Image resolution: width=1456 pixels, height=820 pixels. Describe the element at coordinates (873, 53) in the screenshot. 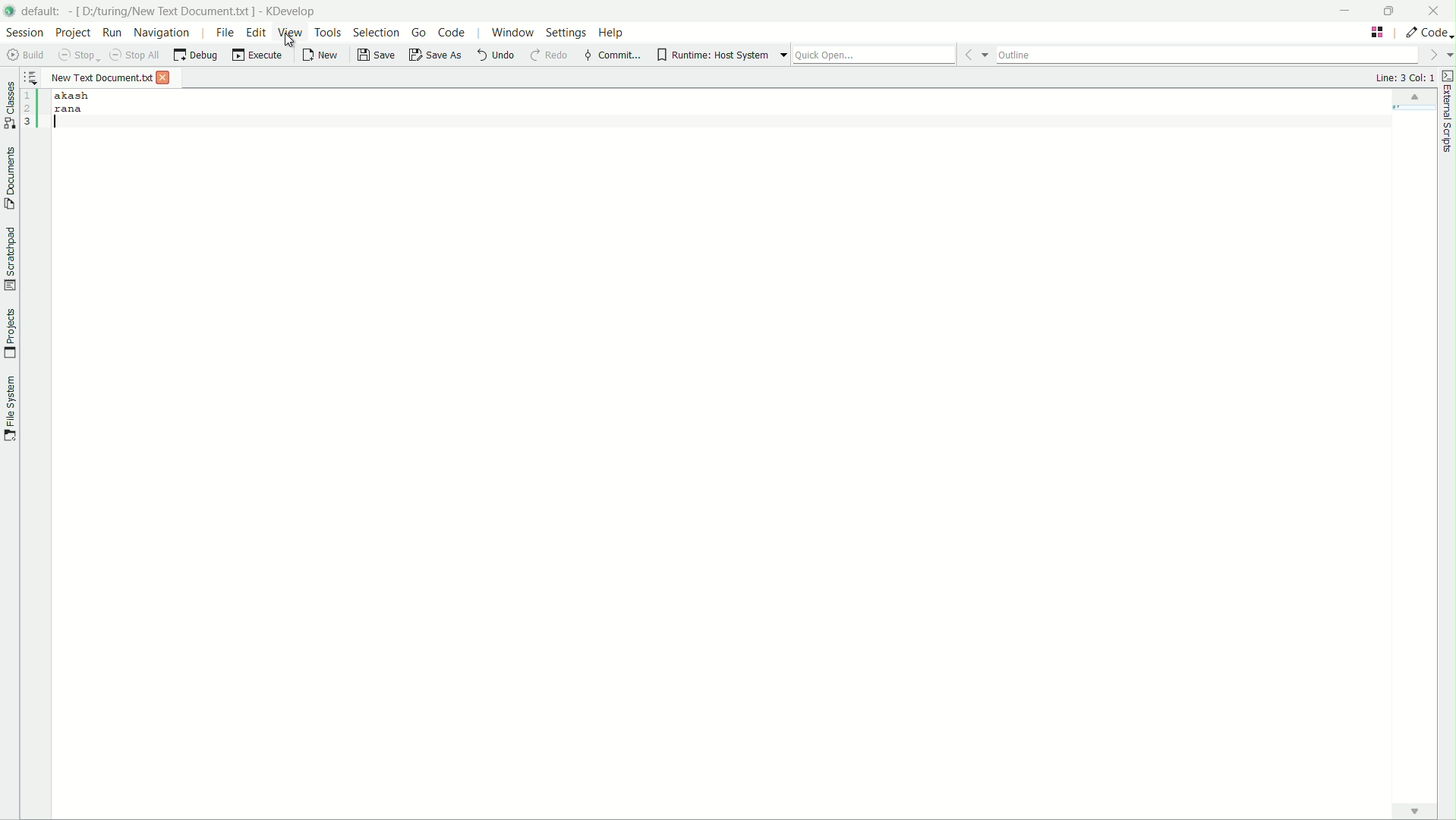

I see `quick open` at that location.